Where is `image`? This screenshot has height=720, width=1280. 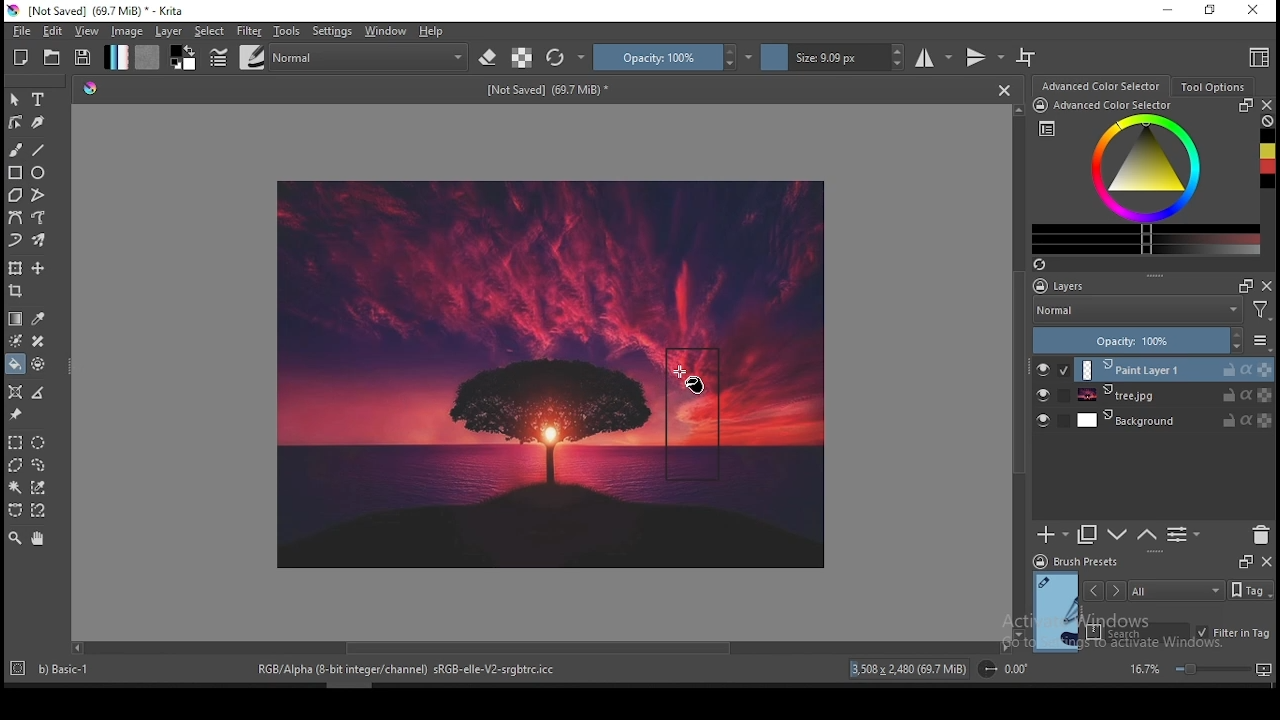 image is located at coordinates (740, 261).